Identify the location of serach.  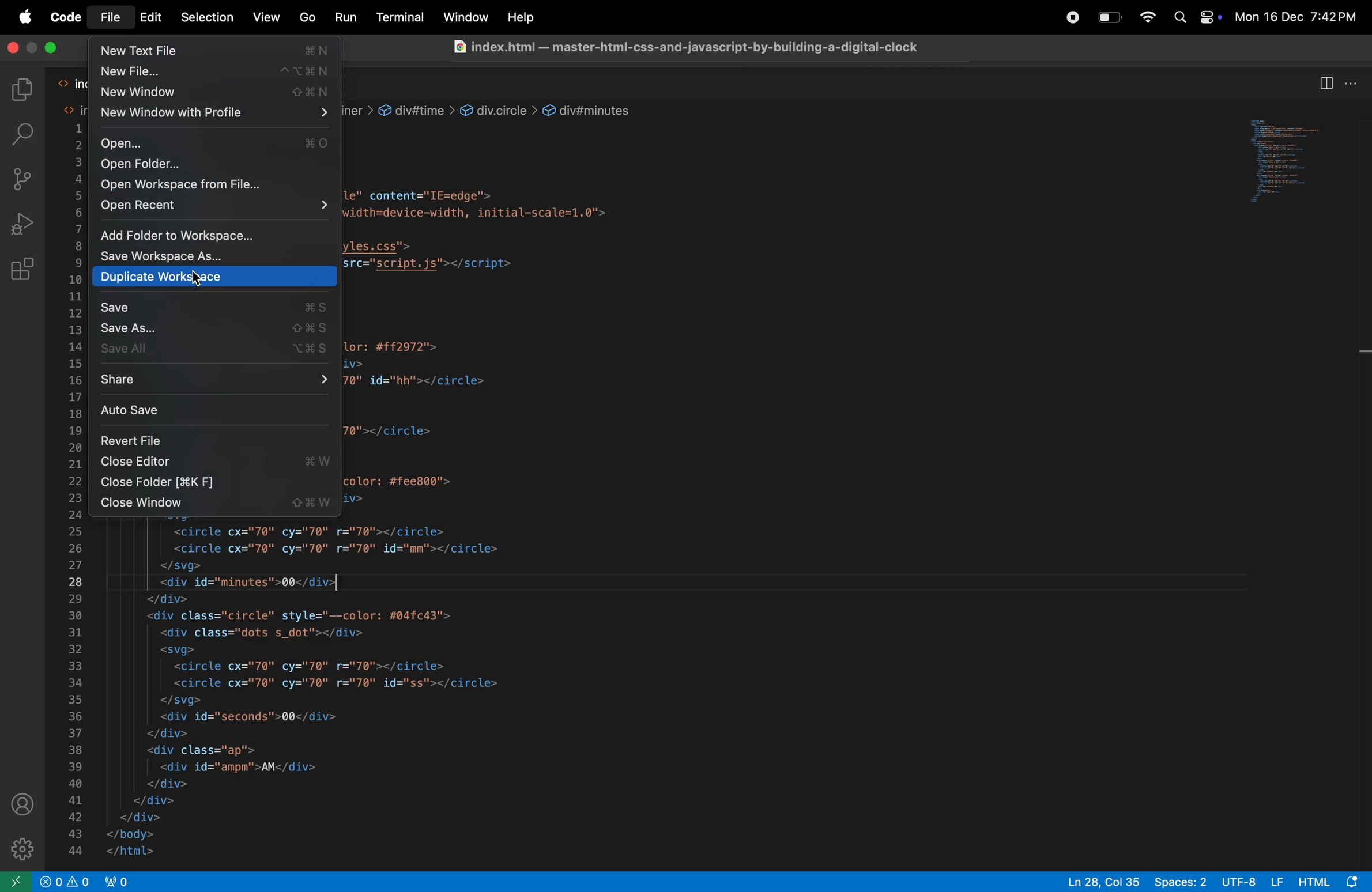
(24, 134).